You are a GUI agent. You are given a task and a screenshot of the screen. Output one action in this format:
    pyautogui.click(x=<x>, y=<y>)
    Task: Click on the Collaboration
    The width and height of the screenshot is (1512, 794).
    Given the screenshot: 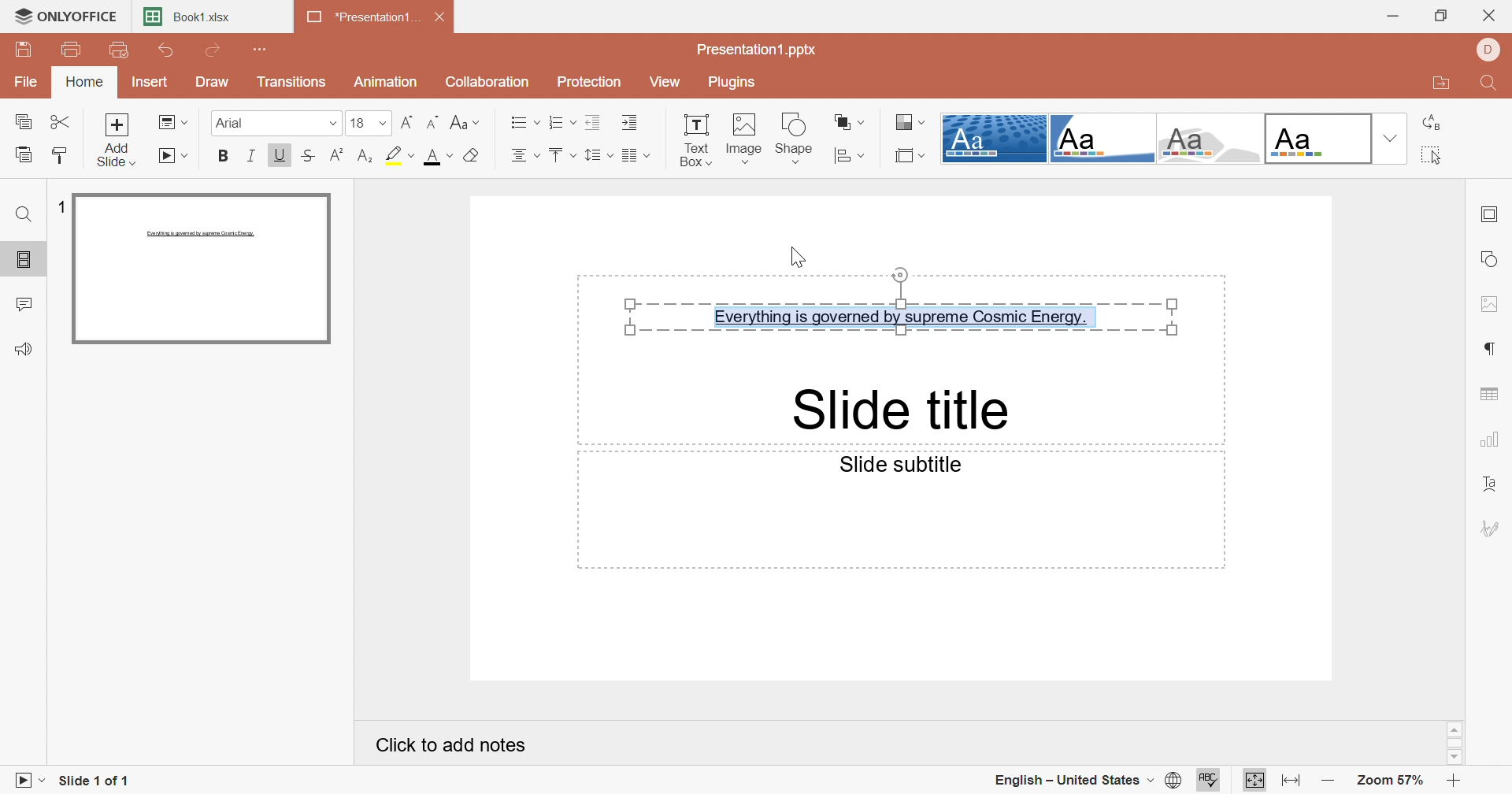 What is the action you would take?
    pyautogui.click(x=487, y=82)
    